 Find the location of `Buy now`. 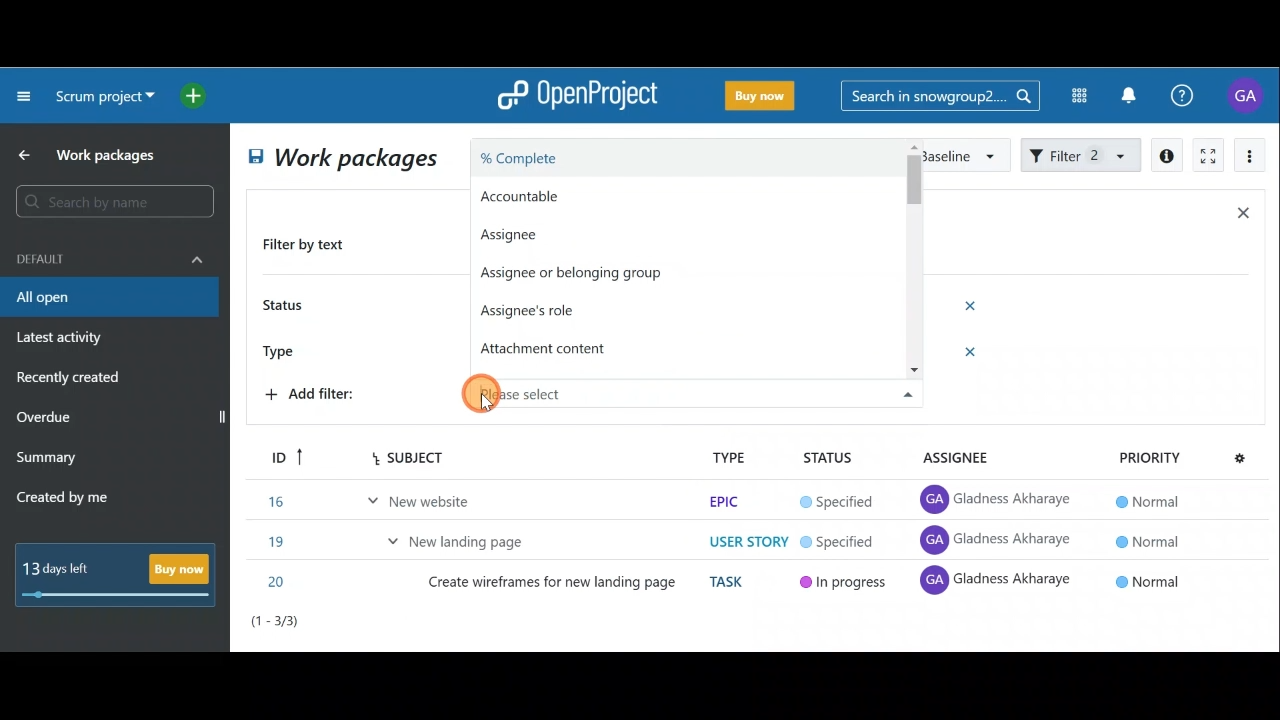

Buy now is located at coordinates (764, 99).